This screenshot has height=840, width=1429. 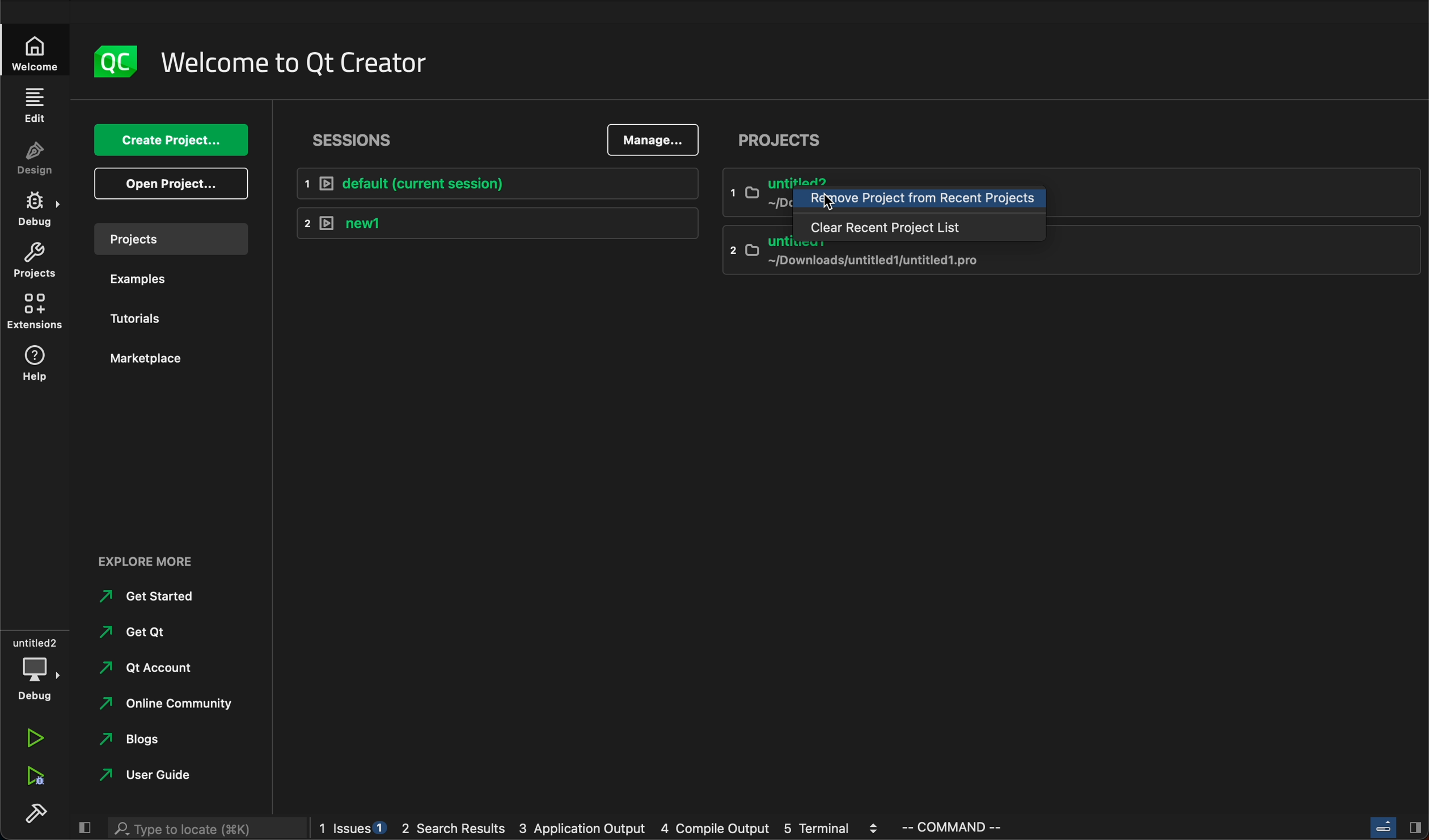 I want to click on debug, so click(x=38, y=207).